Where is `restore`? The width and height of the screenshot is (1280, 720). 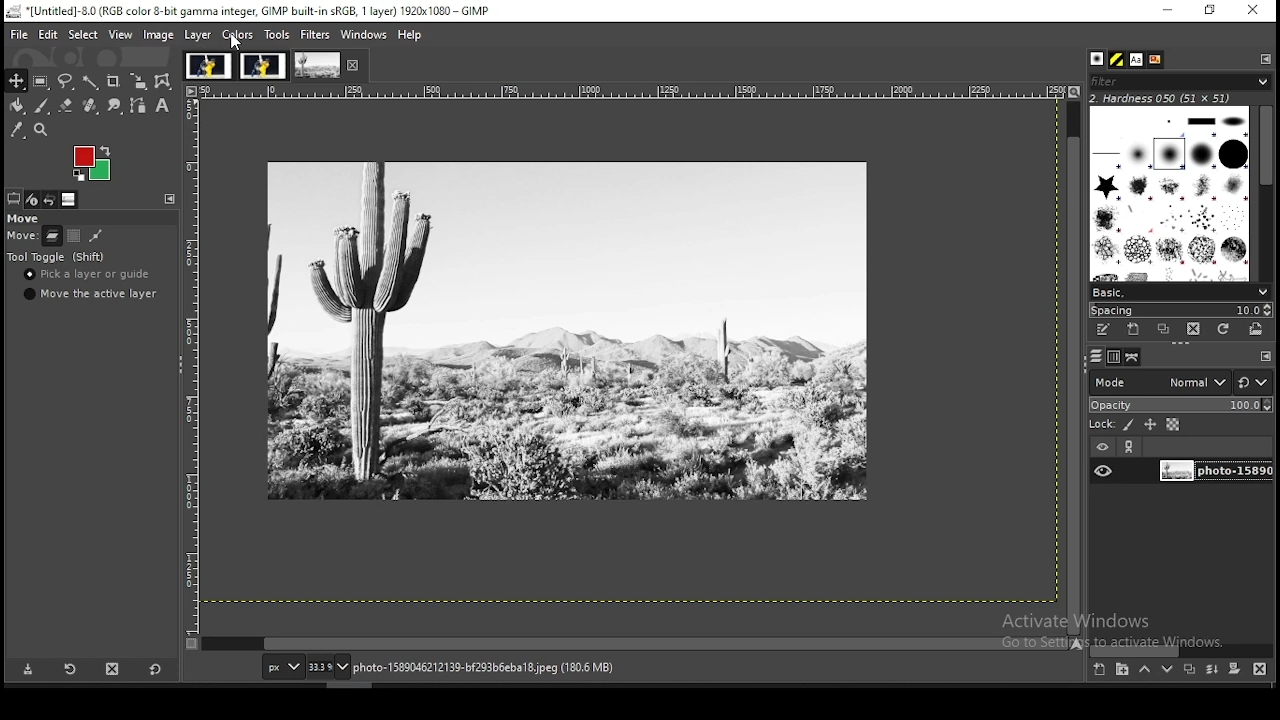
restore is located at coordinates (1211, 10).